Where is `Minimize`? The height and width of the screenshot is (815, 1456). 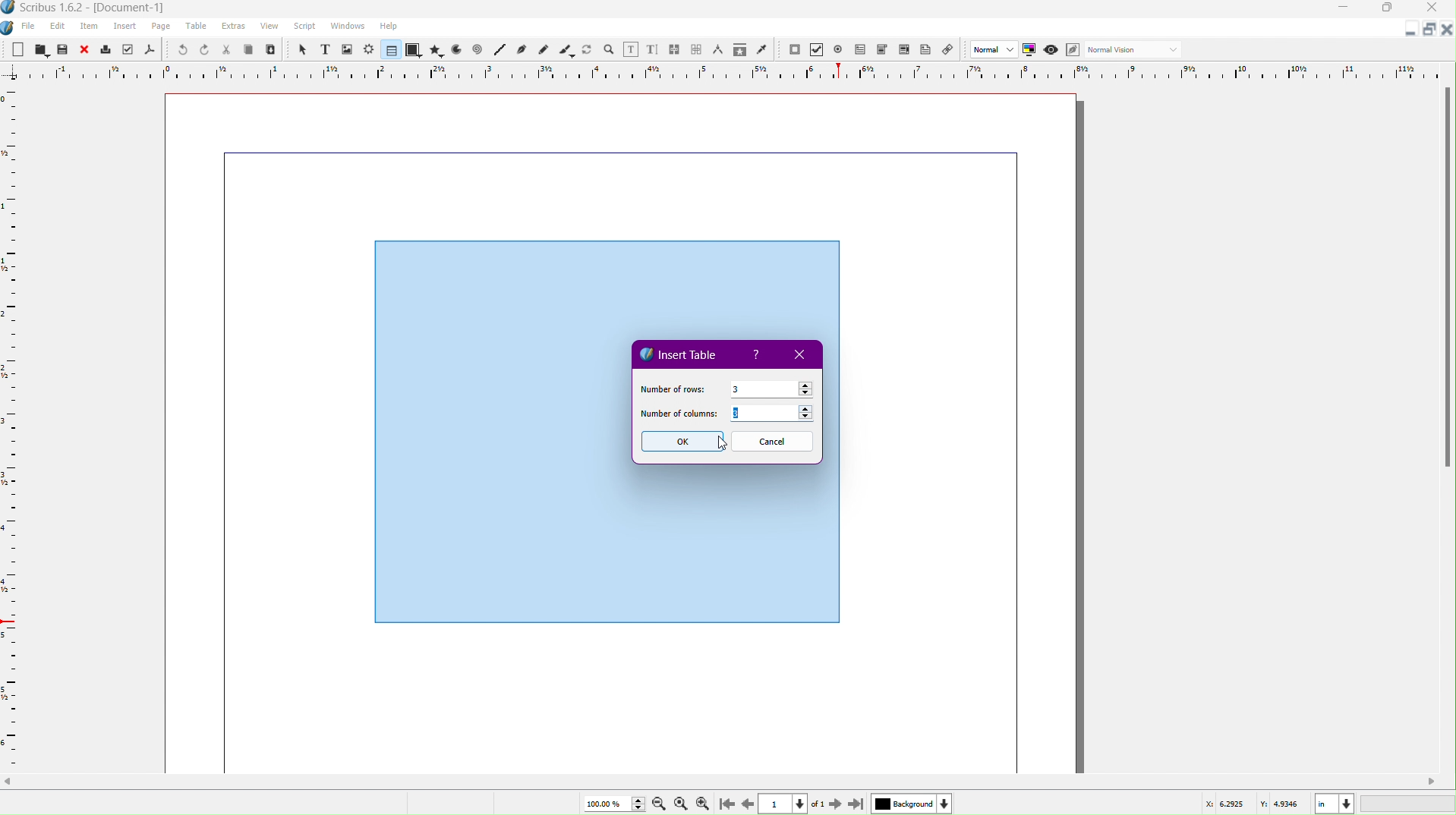 Minimize is located at coordinates (1407, 31).